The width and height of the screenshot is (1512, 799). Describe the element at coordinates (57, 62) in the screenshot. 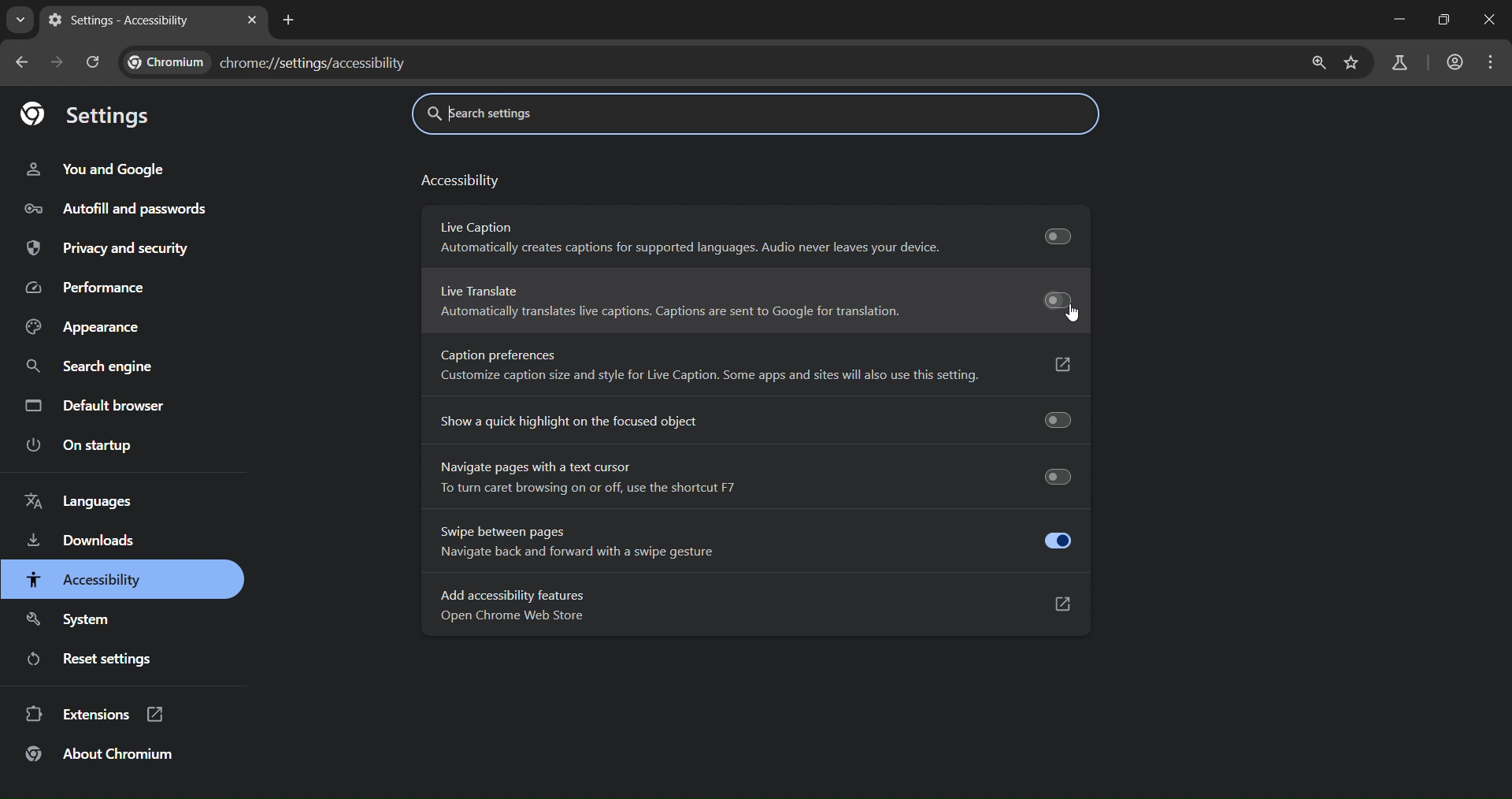

I see `go forward one page` at that location.